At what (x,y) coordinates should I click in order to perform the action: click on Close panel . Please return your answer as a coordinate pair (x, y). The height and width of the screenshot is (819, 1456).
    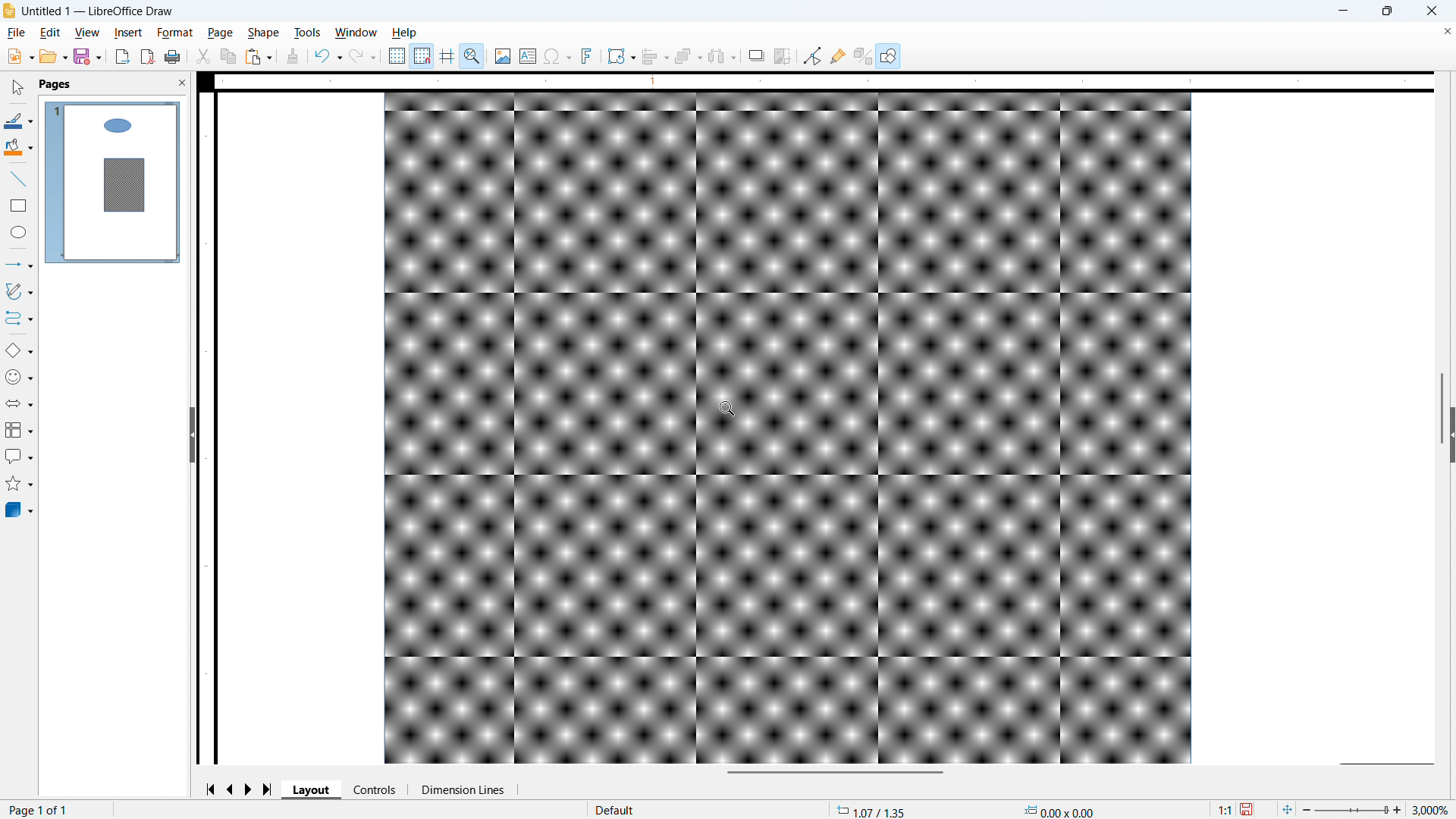
    Looking at the image, I should click on (183, 83).